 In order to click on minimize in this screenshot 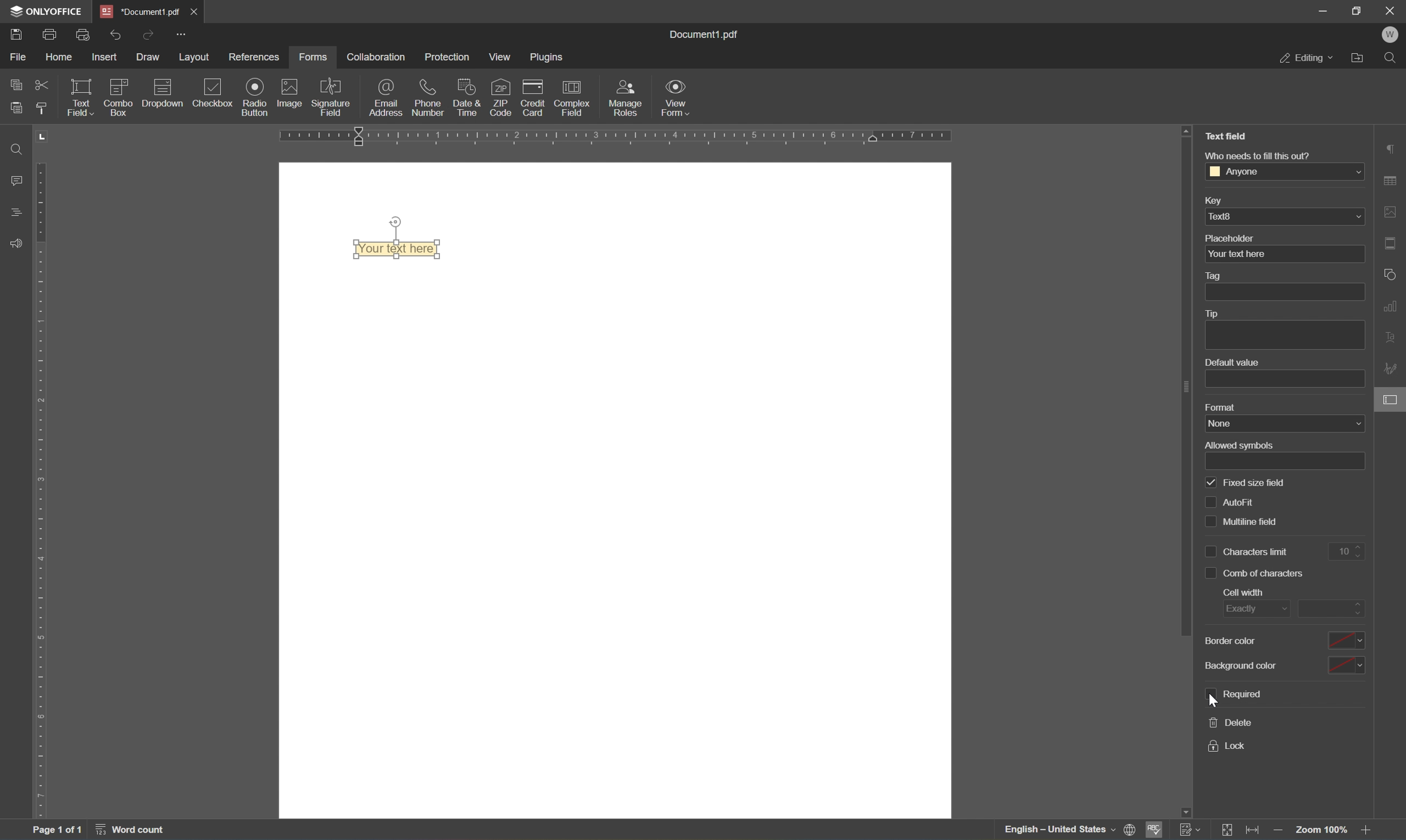, I will do `click(1324, 8)`.